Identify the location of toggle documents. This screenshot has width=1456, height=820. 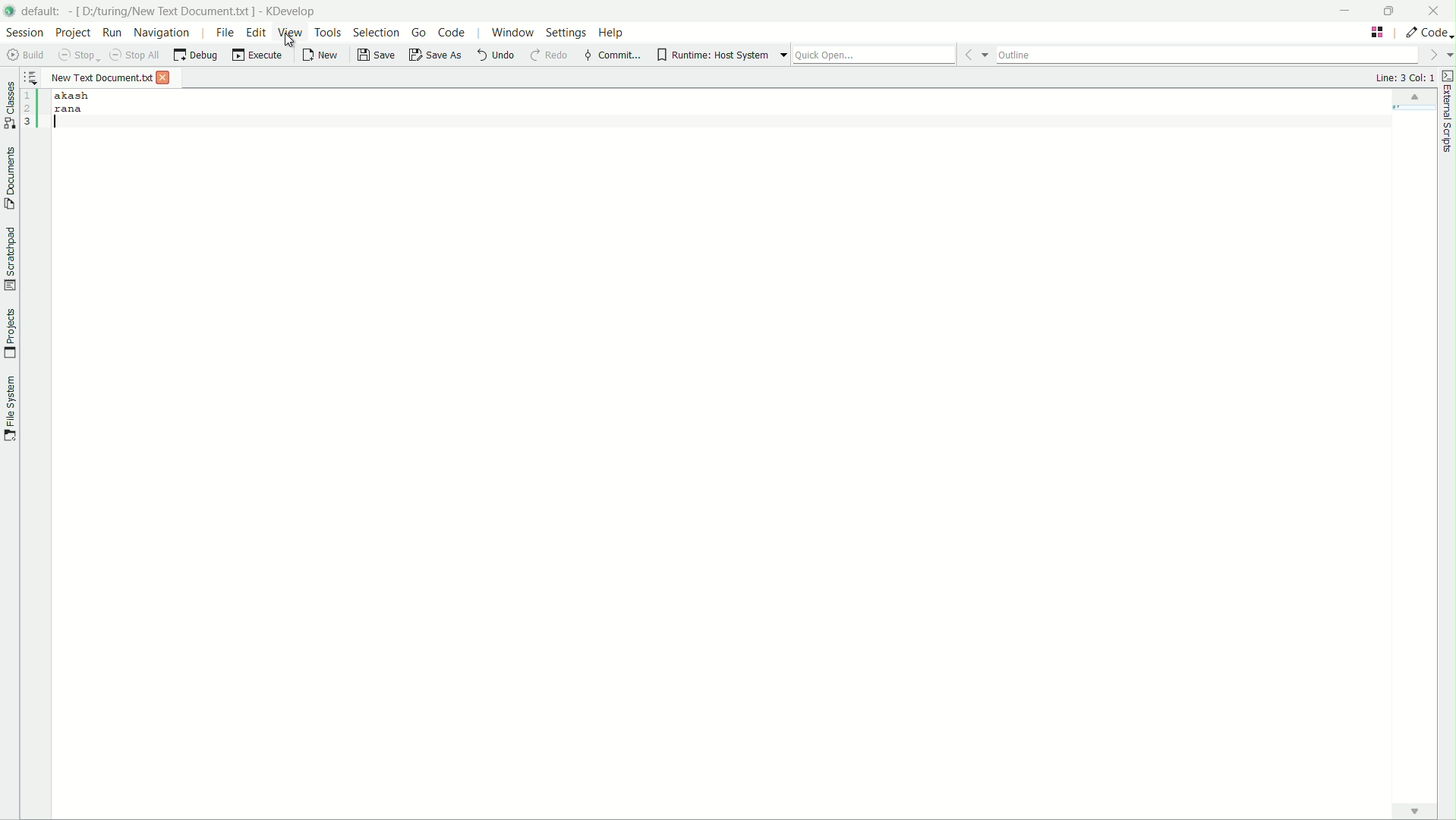
(9, 175).